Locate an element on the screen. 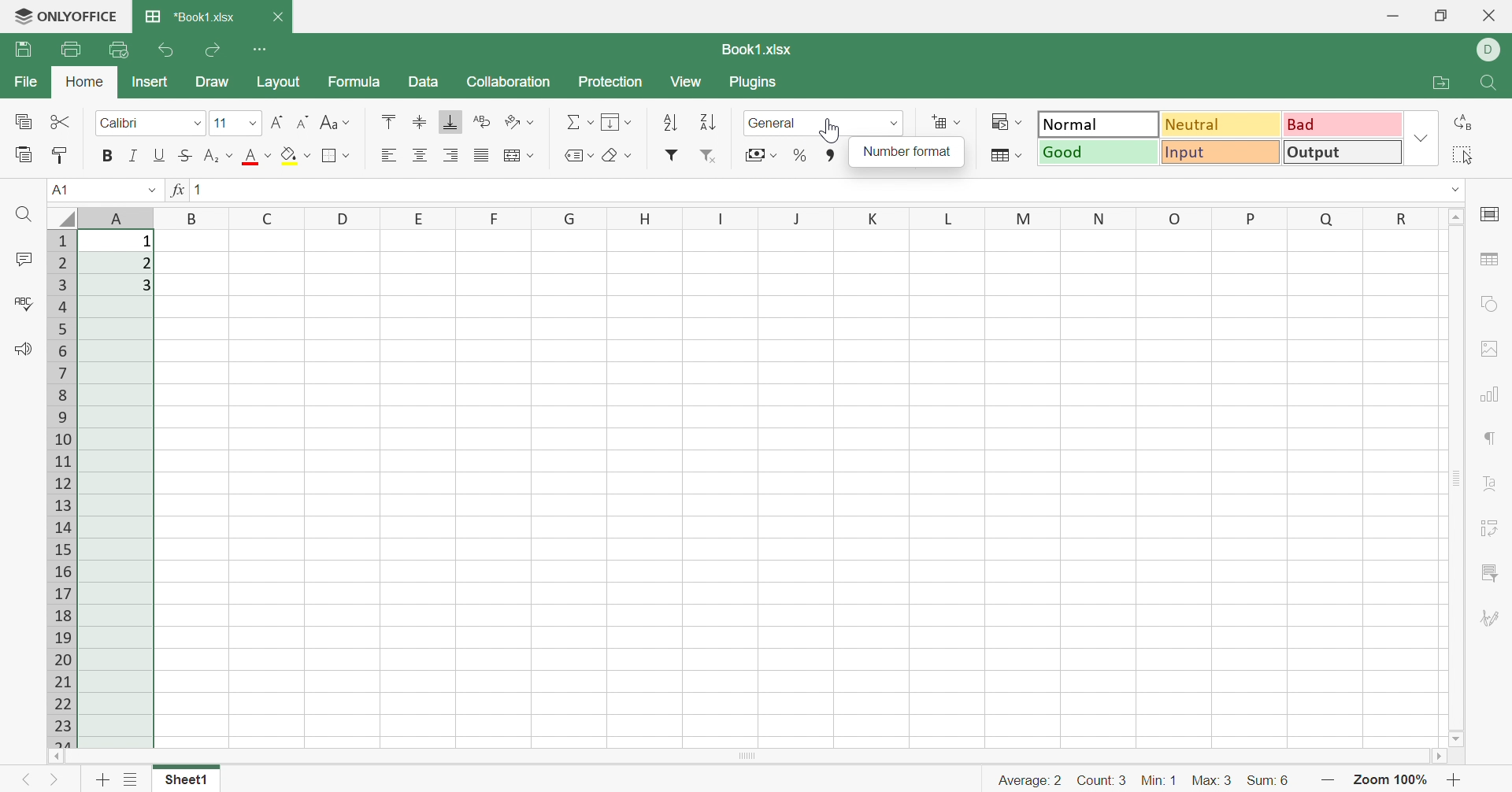 This screenshot has height=792, width=1512. Font is located at coordinates (239, 122).